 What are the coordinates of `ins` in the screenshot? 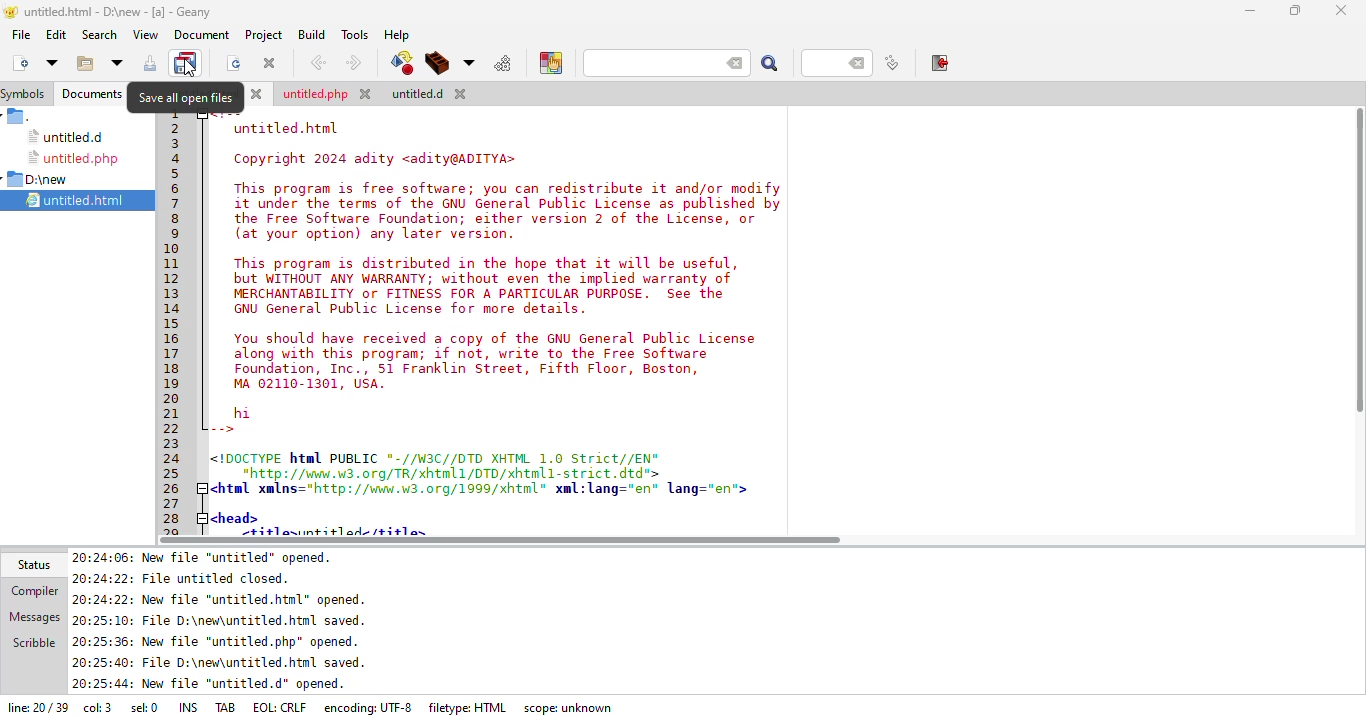 It's located at (190, 708).